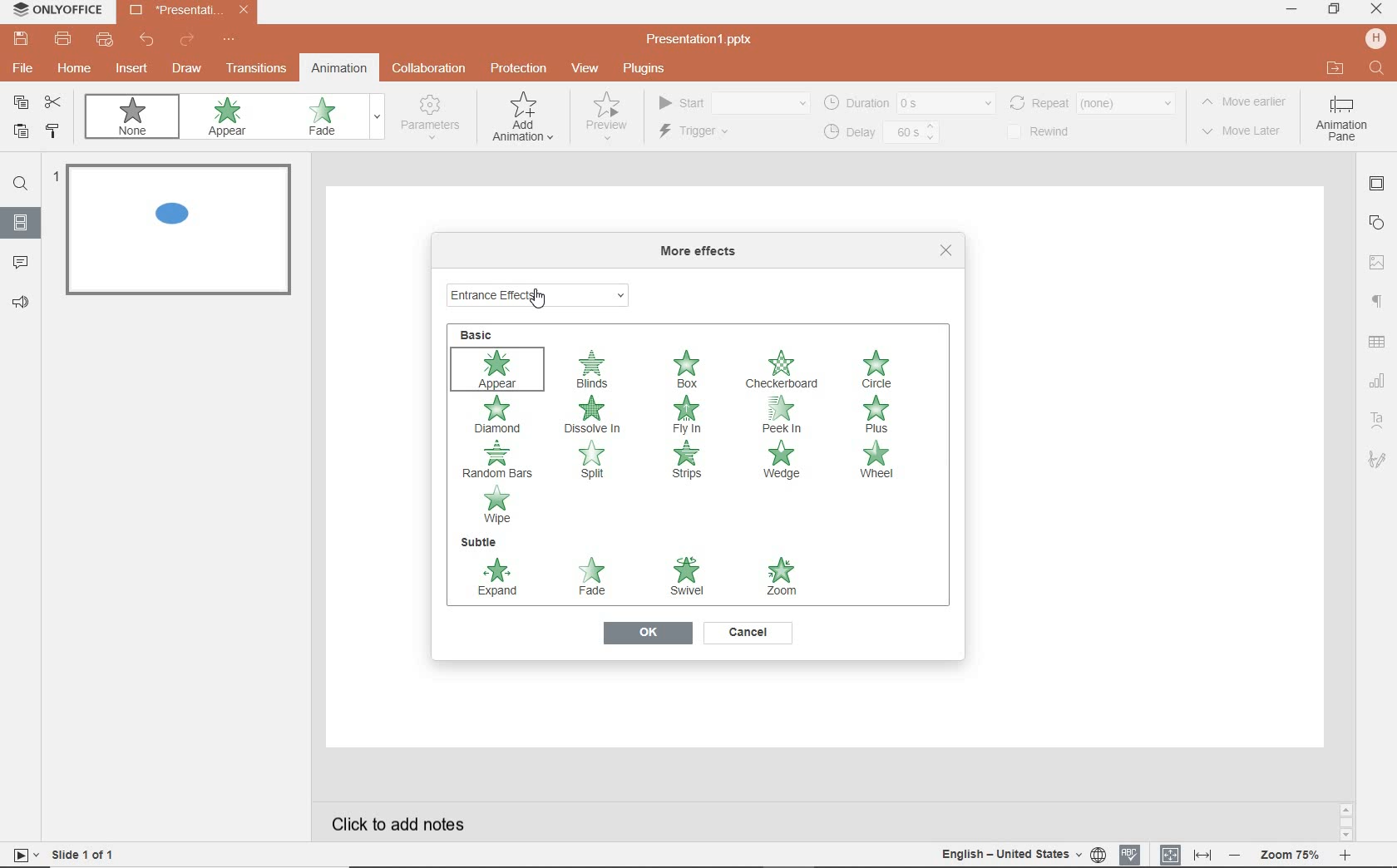  What do you see at coordinates (20, 133) in the screenshot?
I see `PASTE` at bounding box center [20, 133].